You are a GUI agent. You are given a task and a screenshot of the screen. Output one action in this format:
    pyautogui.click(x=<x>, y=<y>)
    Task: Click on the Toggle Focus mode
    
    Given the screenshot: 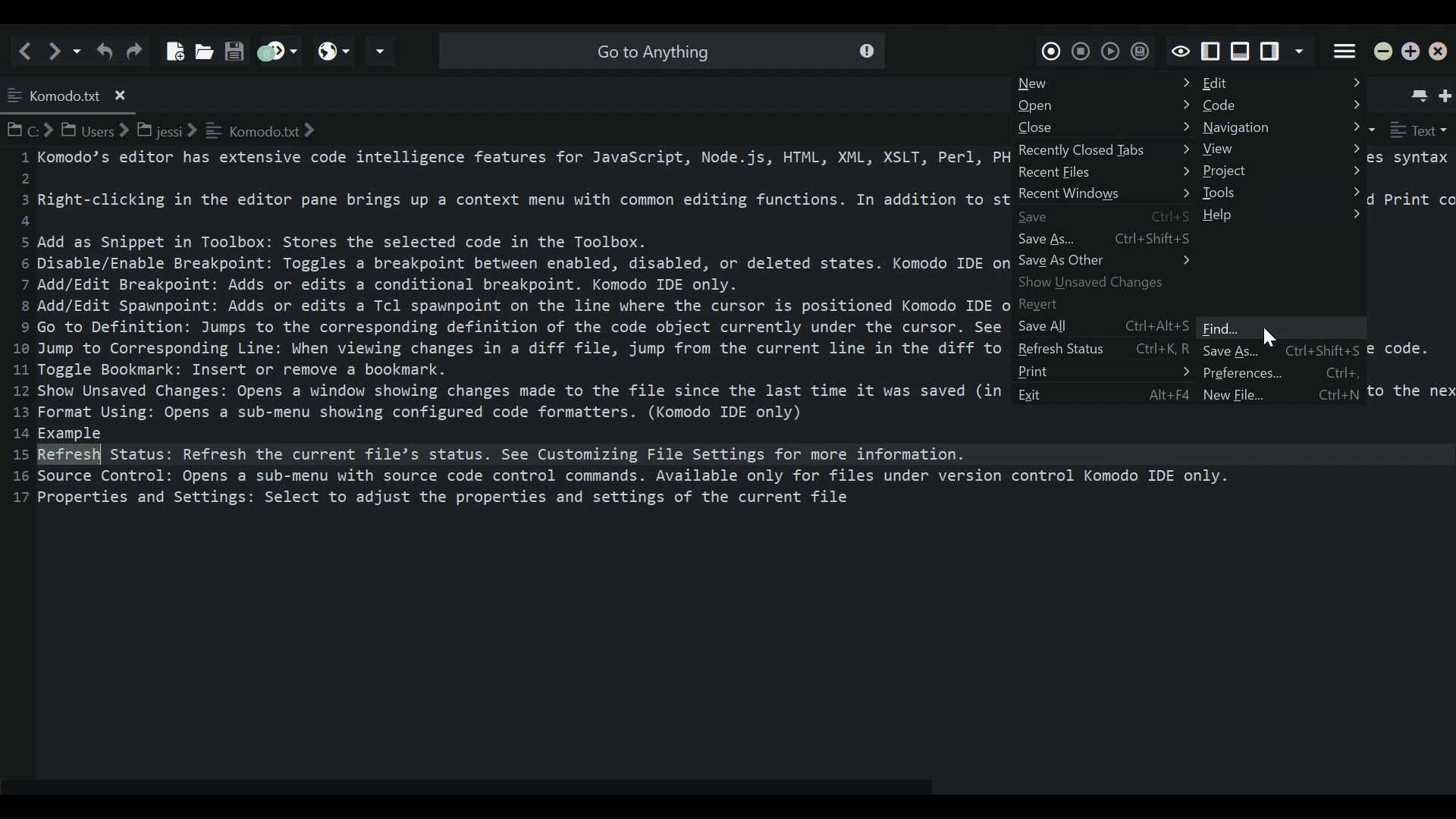 What is the action you would take?
    pyautogui.click(x=1180, y=50)
    